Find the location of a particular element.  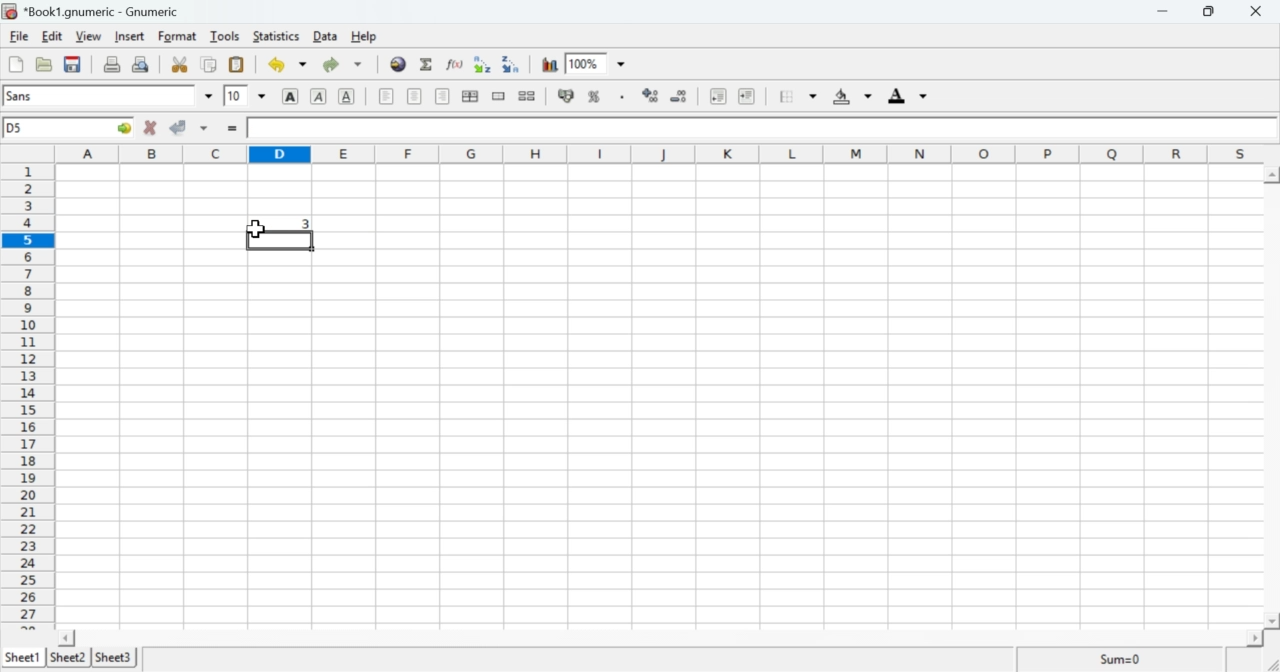

value is located at coordinates (279, 223).